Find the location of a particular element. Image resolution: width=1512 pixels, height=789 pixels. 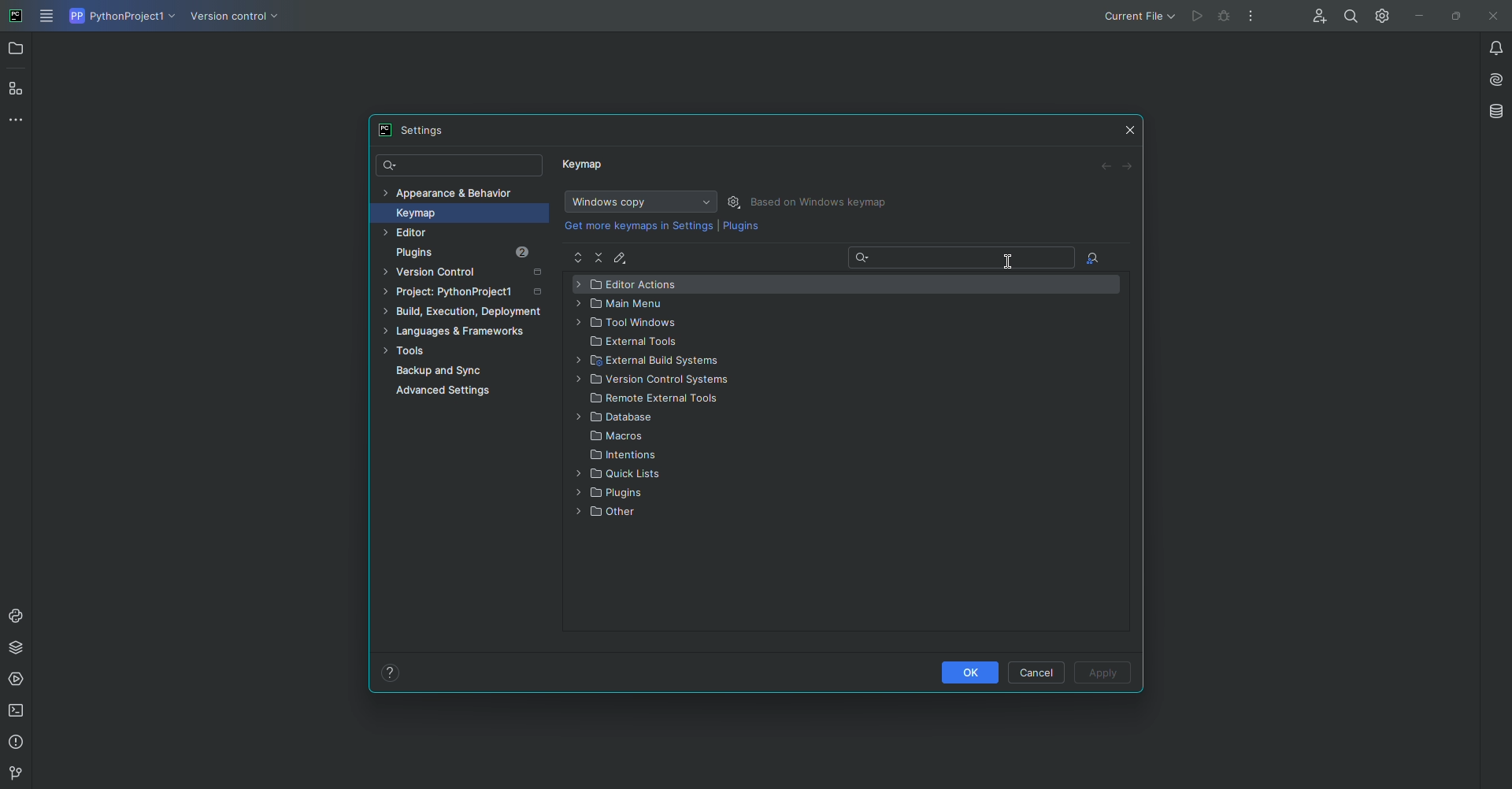

Database is located at coordinates (1495, 111).